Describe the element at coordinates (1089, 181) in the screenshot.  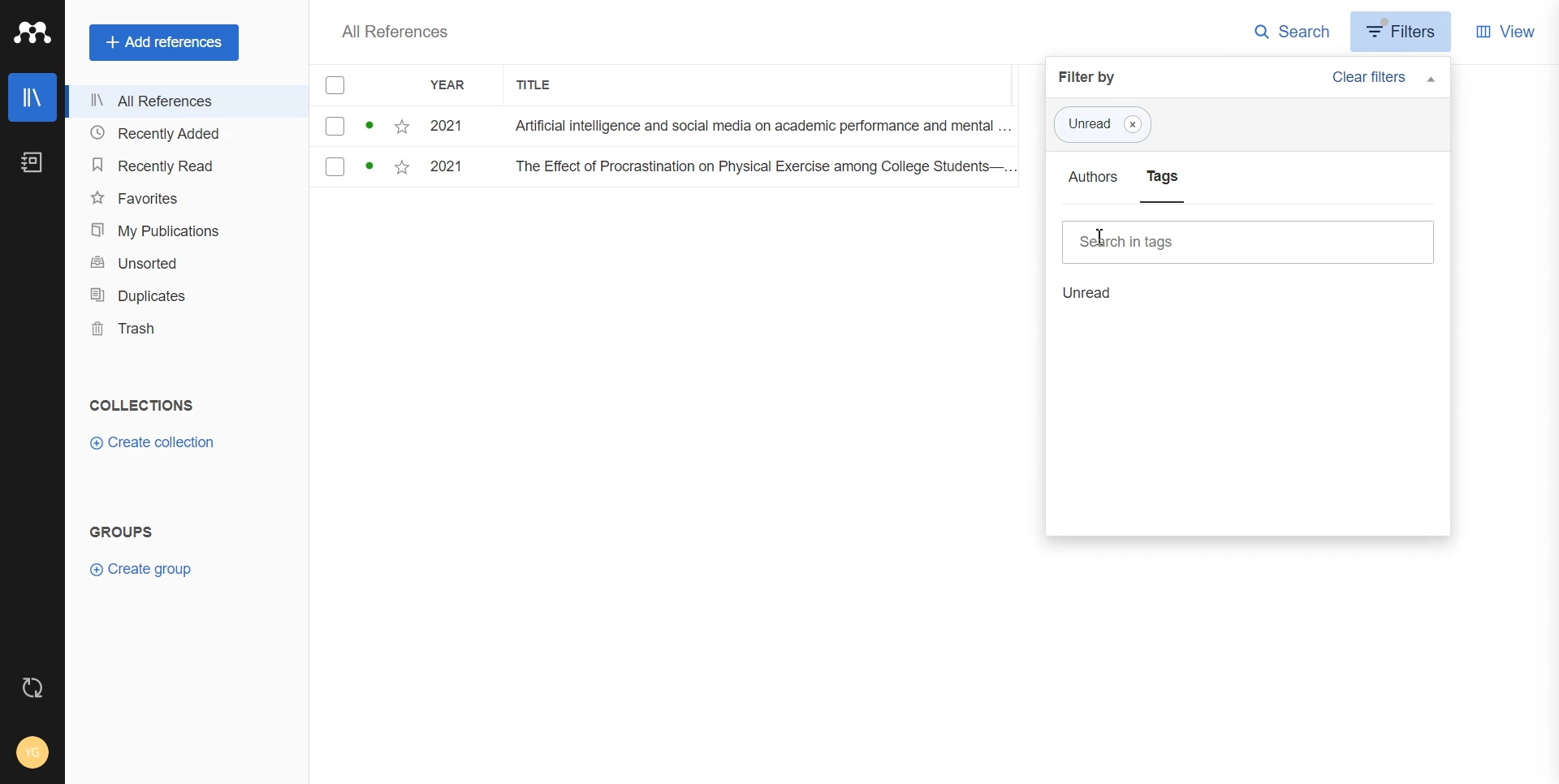
I see `Authors` at that location.